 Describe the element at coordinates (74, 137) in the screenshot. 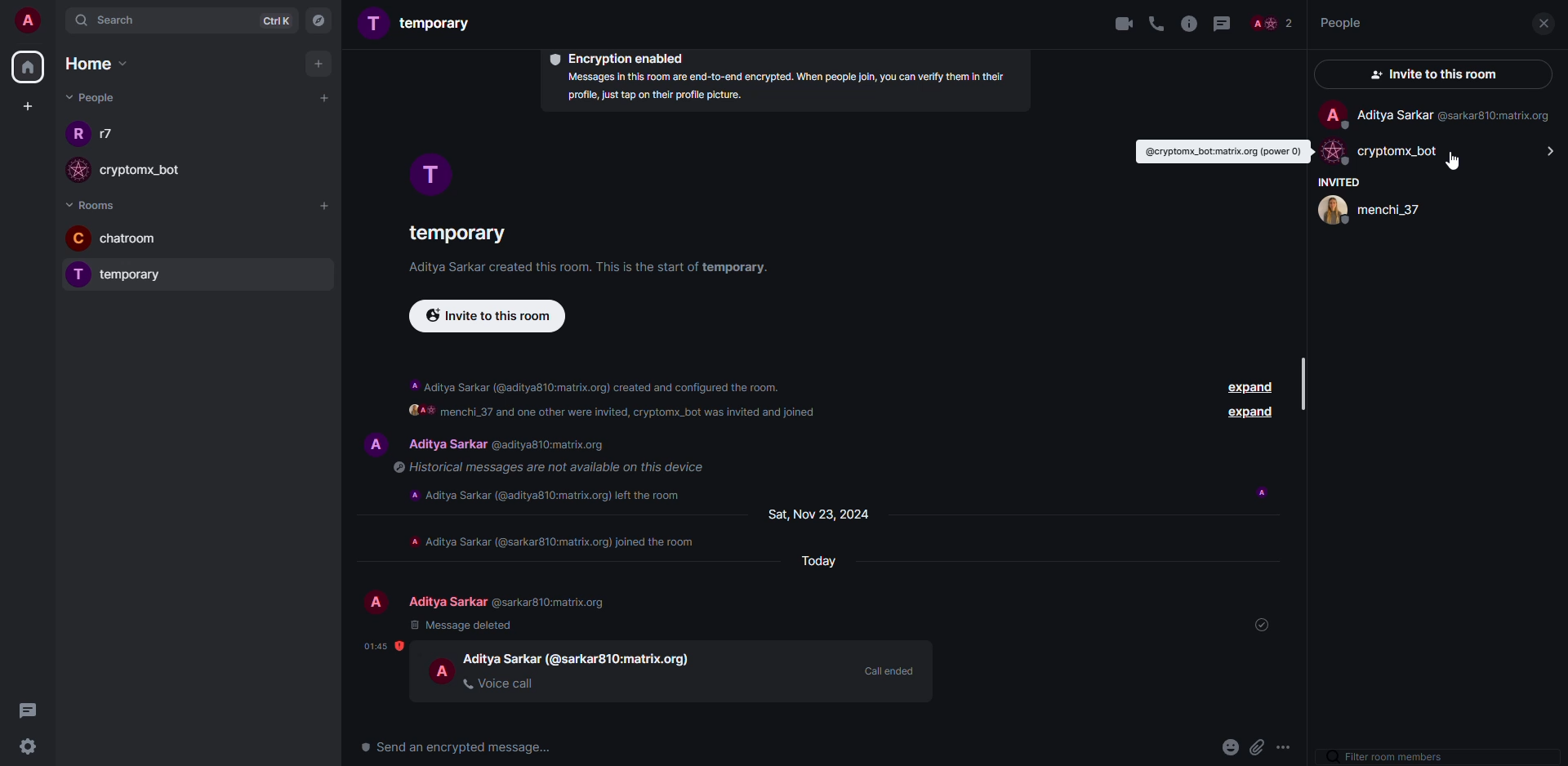

I see `profile` at that location.